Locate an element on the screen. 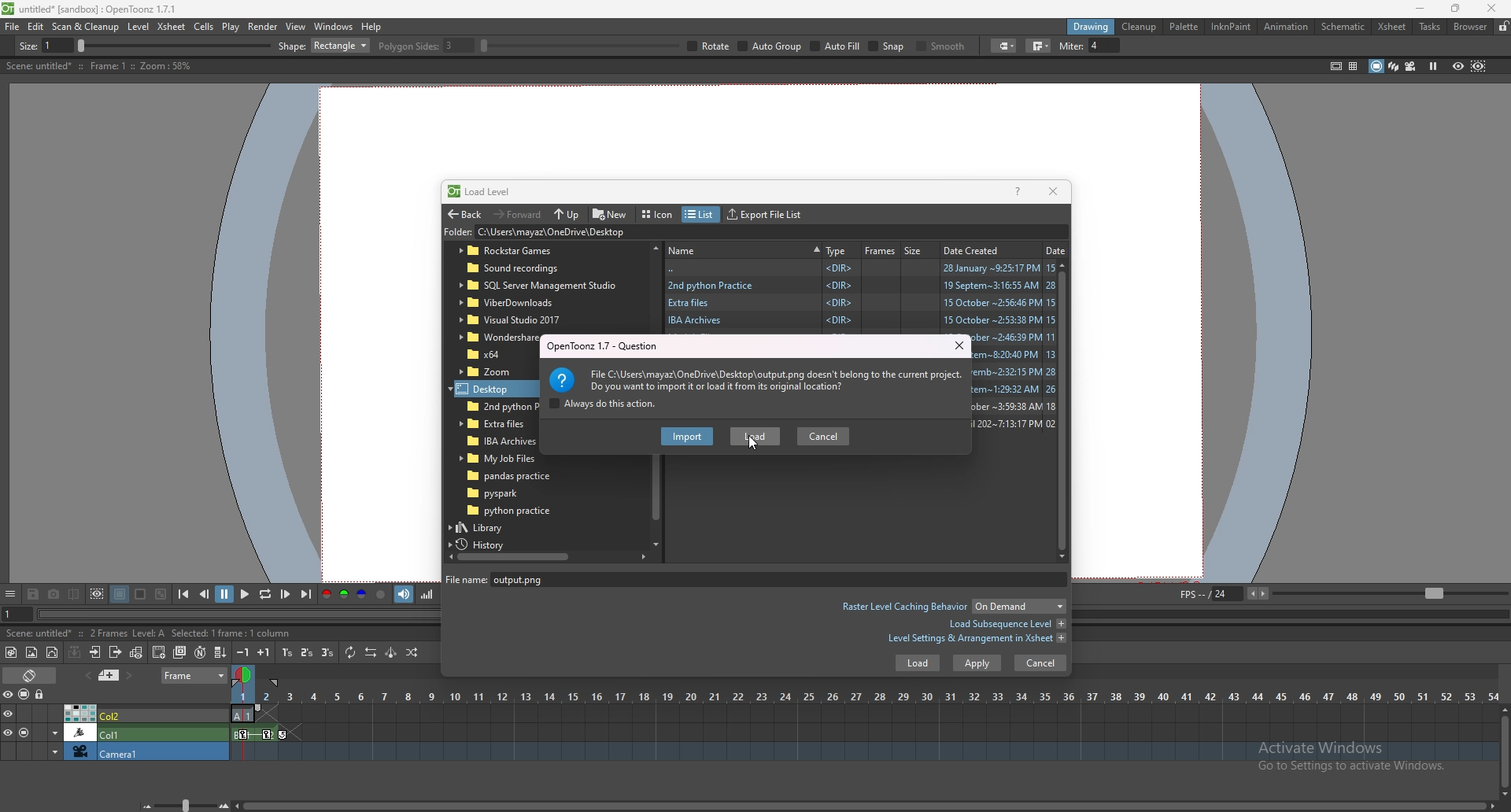 The width and height of the screenshot is (1511, 812). load is located at coordinates (912, 666).